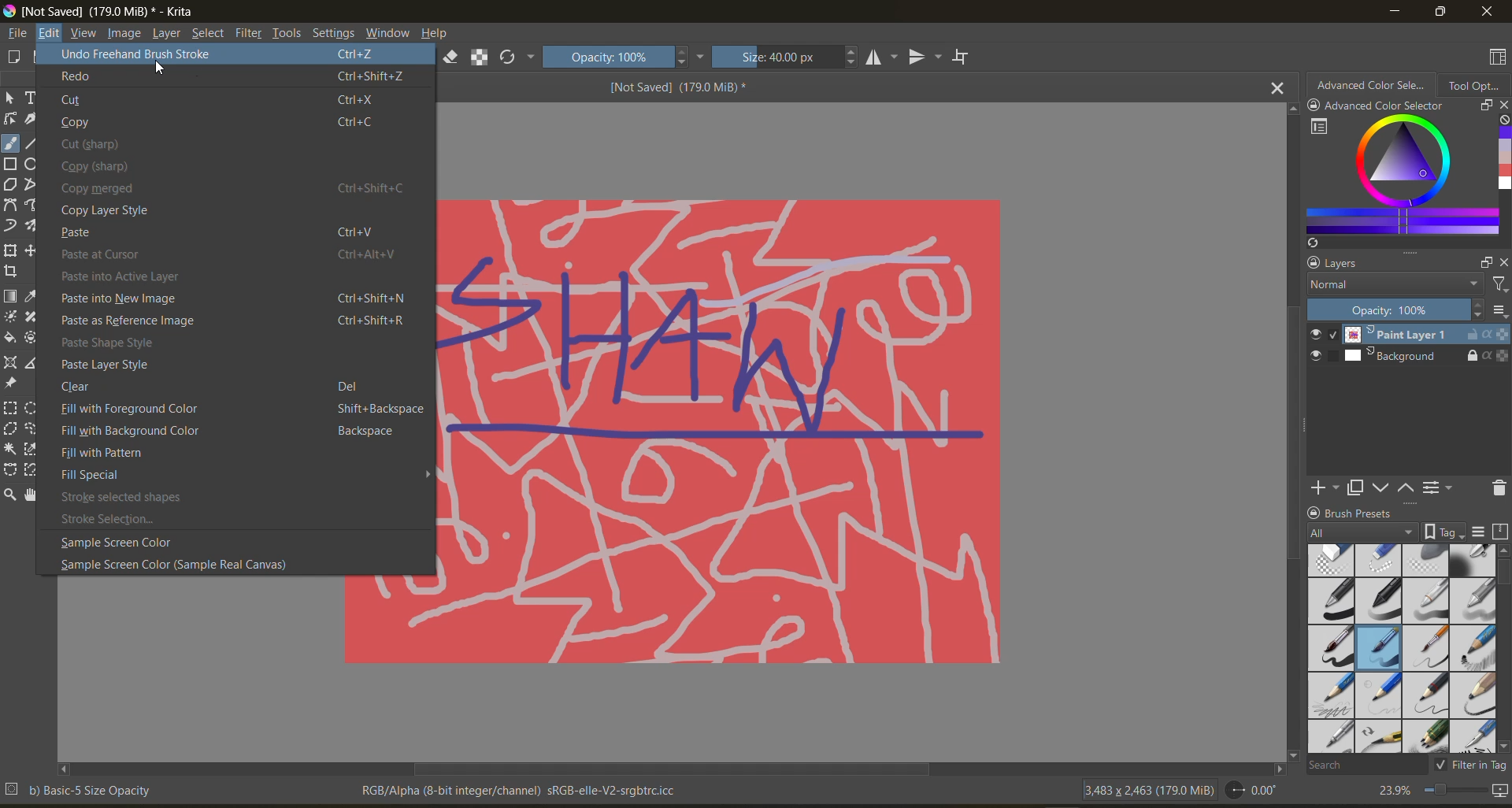 The width and height of the screenshot is (1512, 808). Describe the element at coordinates (1398, 10) in the screenshot. I see `minimize` at that location.